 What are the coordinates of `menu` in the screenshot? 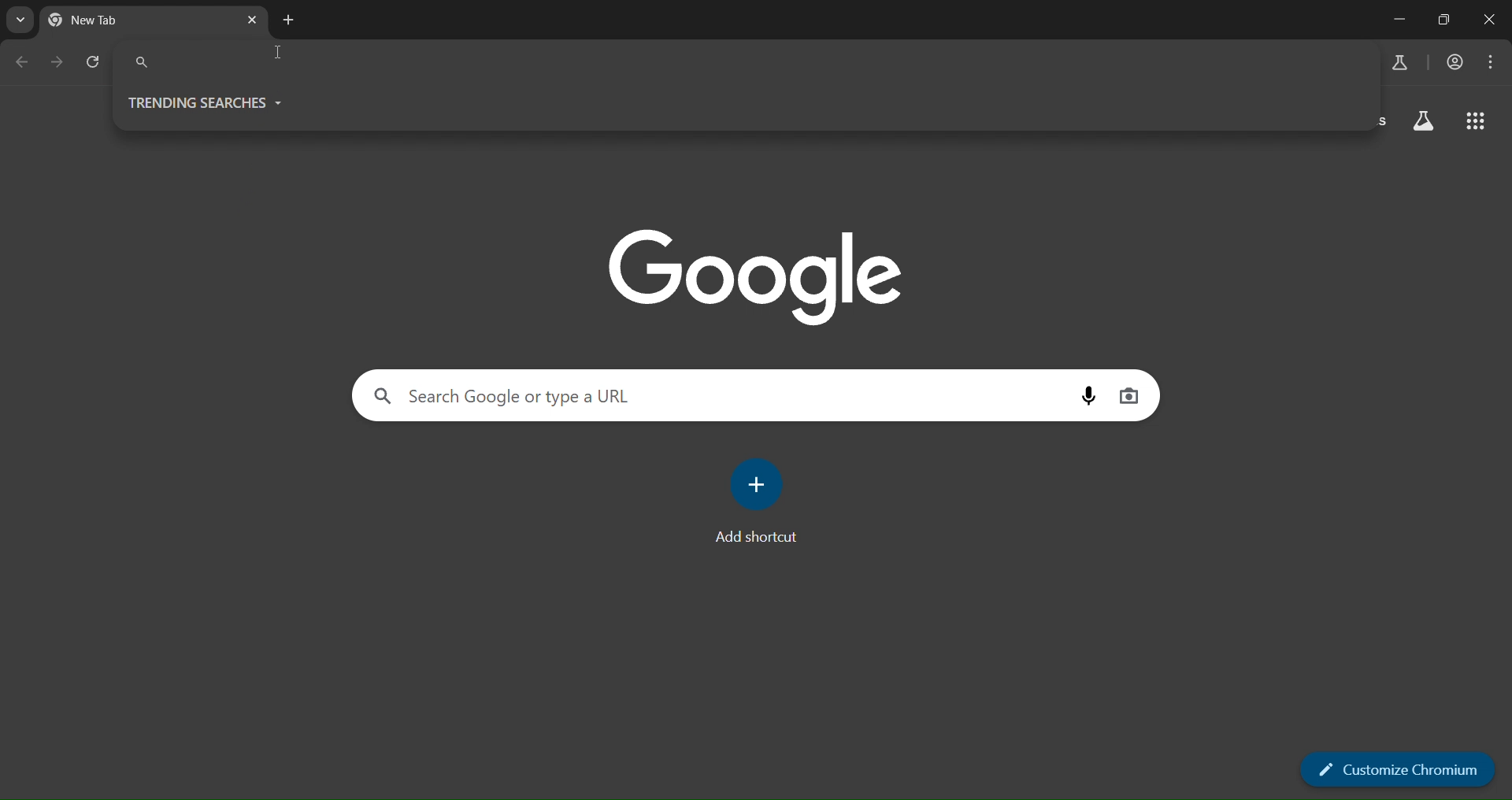 It's located at (1492, 59).